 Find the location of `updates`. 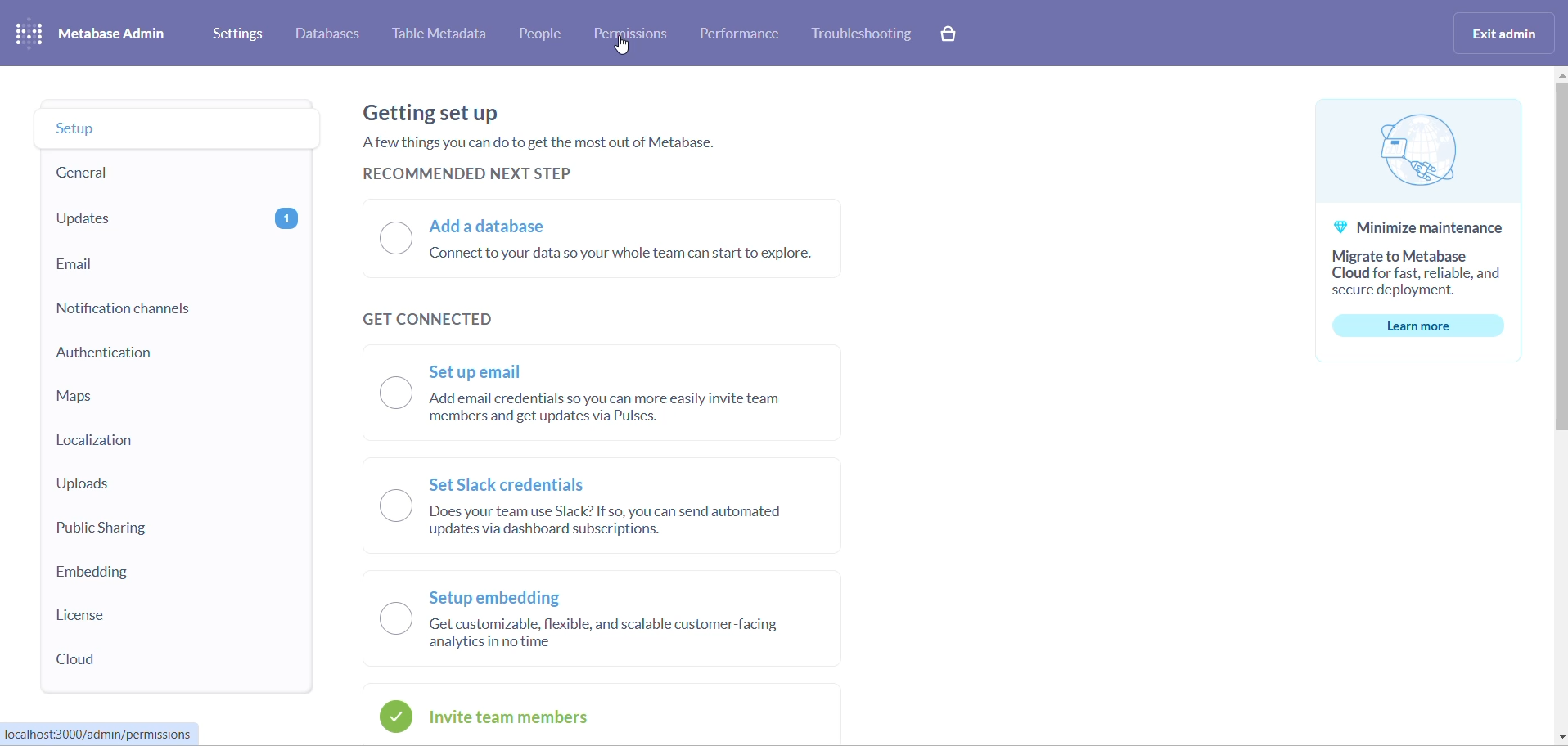

updates is located at coordinates (167, 221).